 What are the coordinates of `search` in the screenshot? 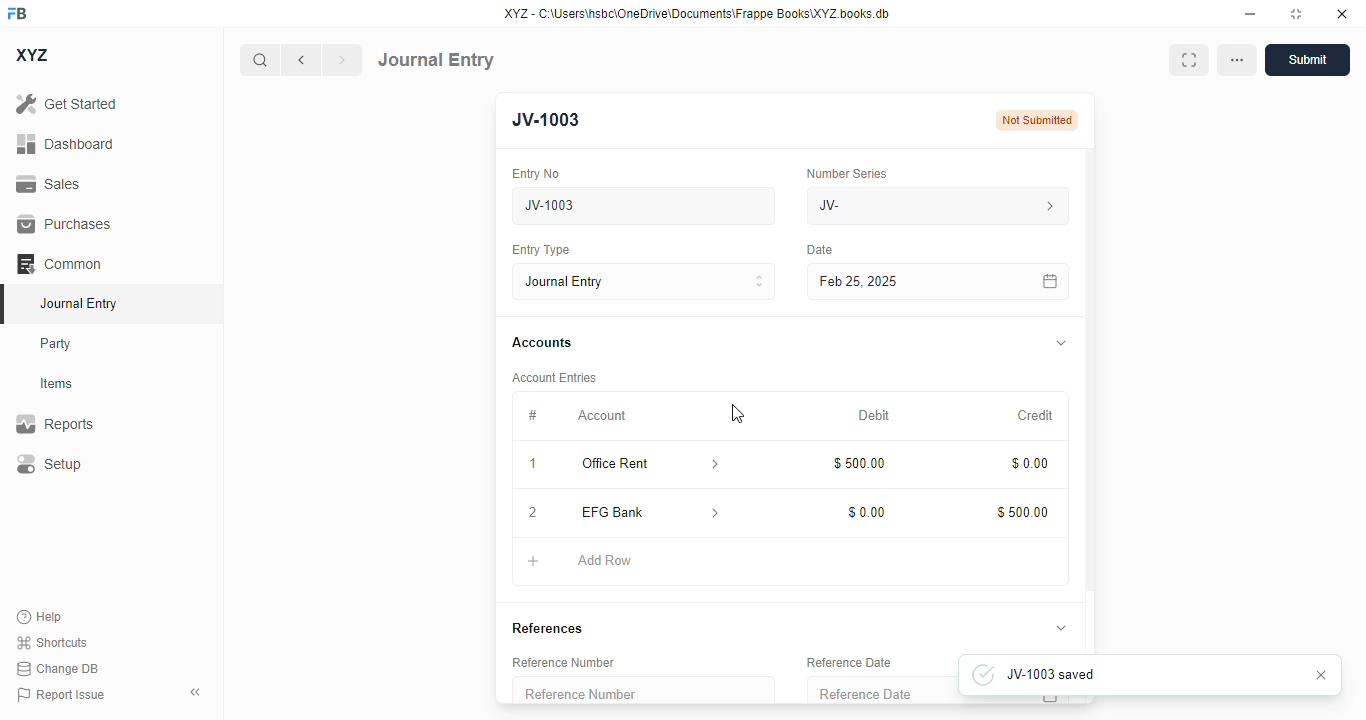 It's located at (259, 60).